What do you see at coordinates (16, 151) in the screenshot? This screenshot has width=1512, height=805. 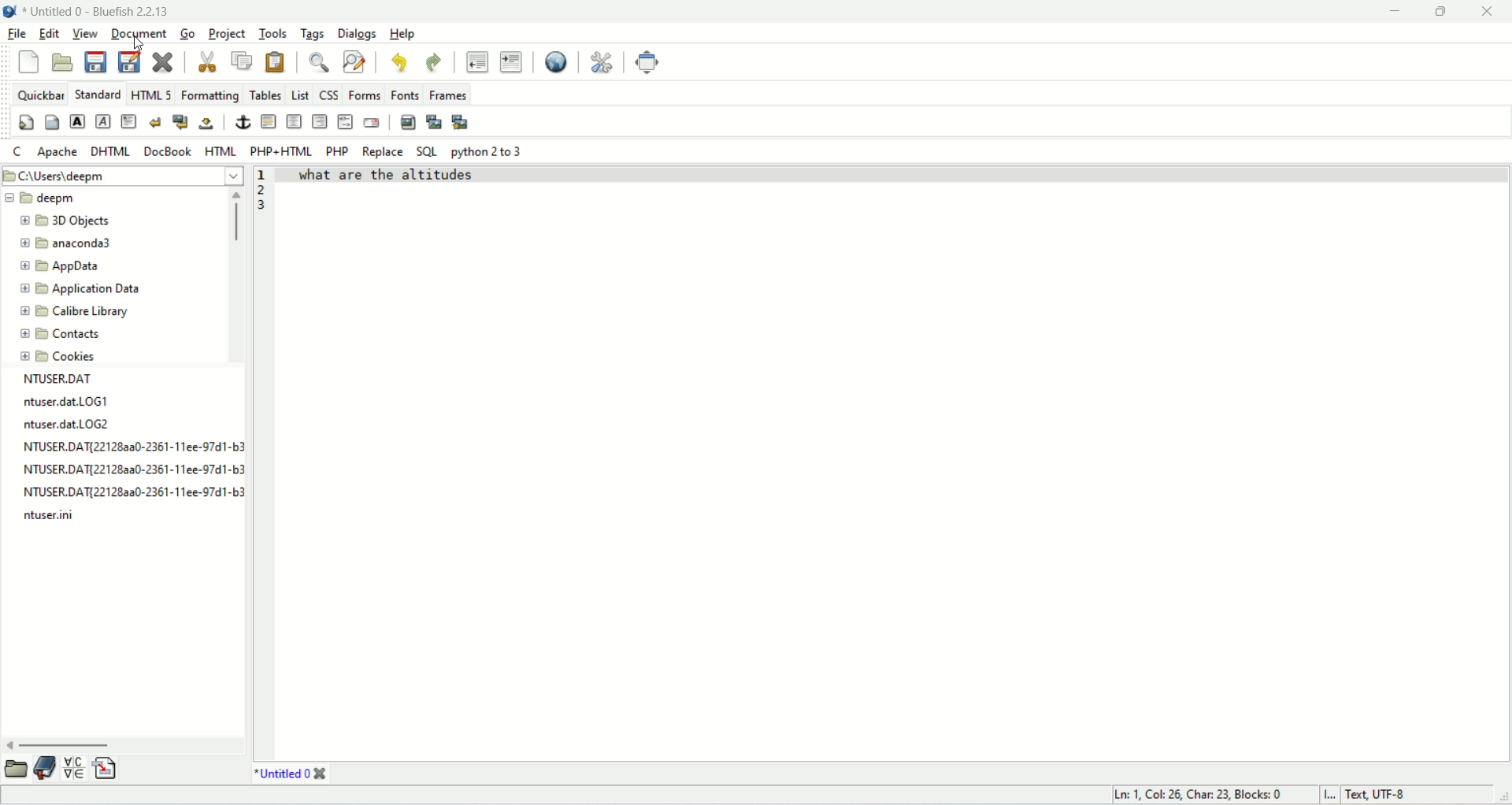 I see `C` at bounding box center [16, 151].